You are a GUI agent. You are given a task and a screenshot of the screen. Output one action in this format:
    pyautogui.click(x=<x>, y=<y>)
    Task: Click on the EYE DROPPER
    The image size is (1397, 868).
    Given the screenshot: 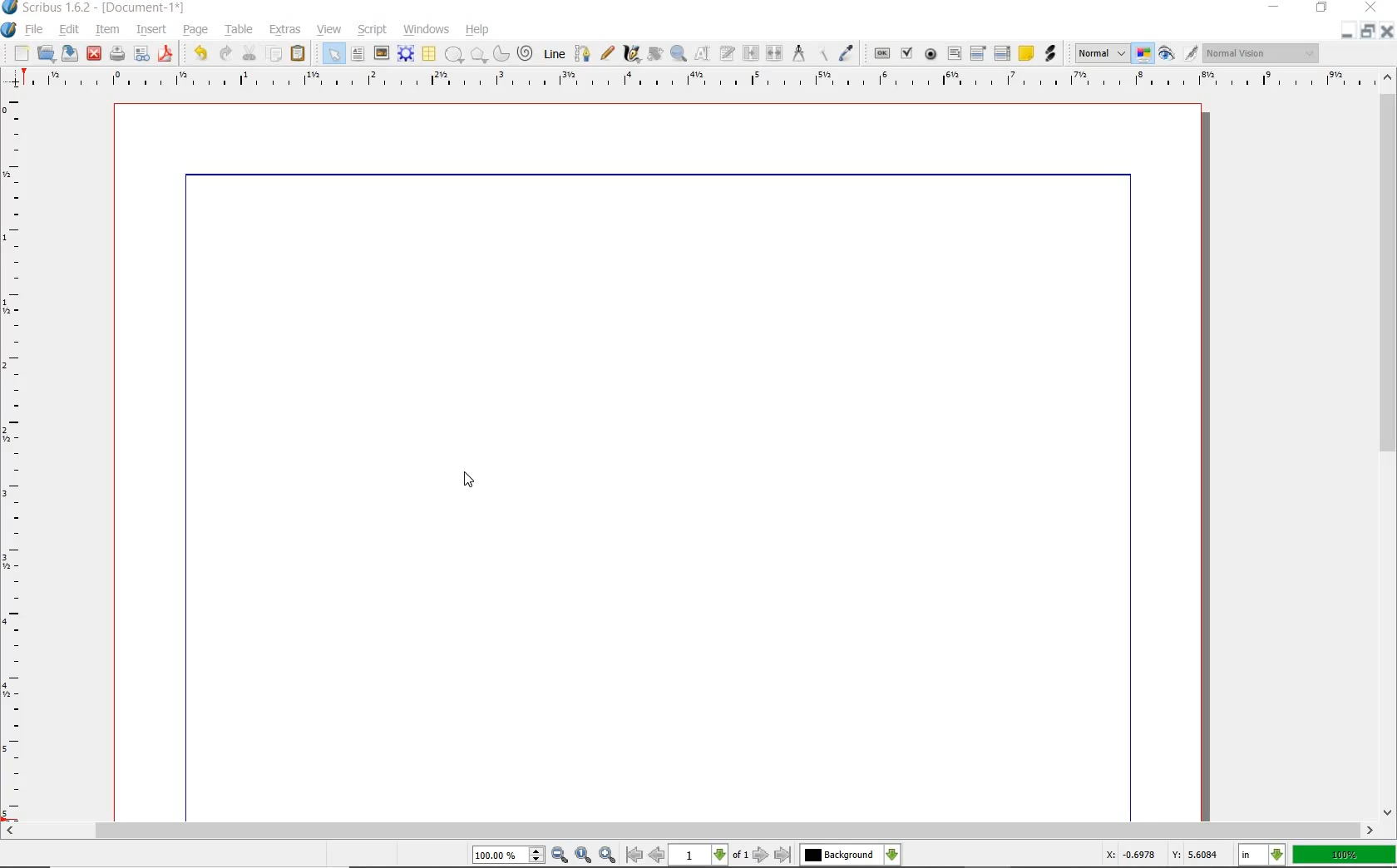 What is the action you would take?
    pyautogui.click(x=847, y=54)
    